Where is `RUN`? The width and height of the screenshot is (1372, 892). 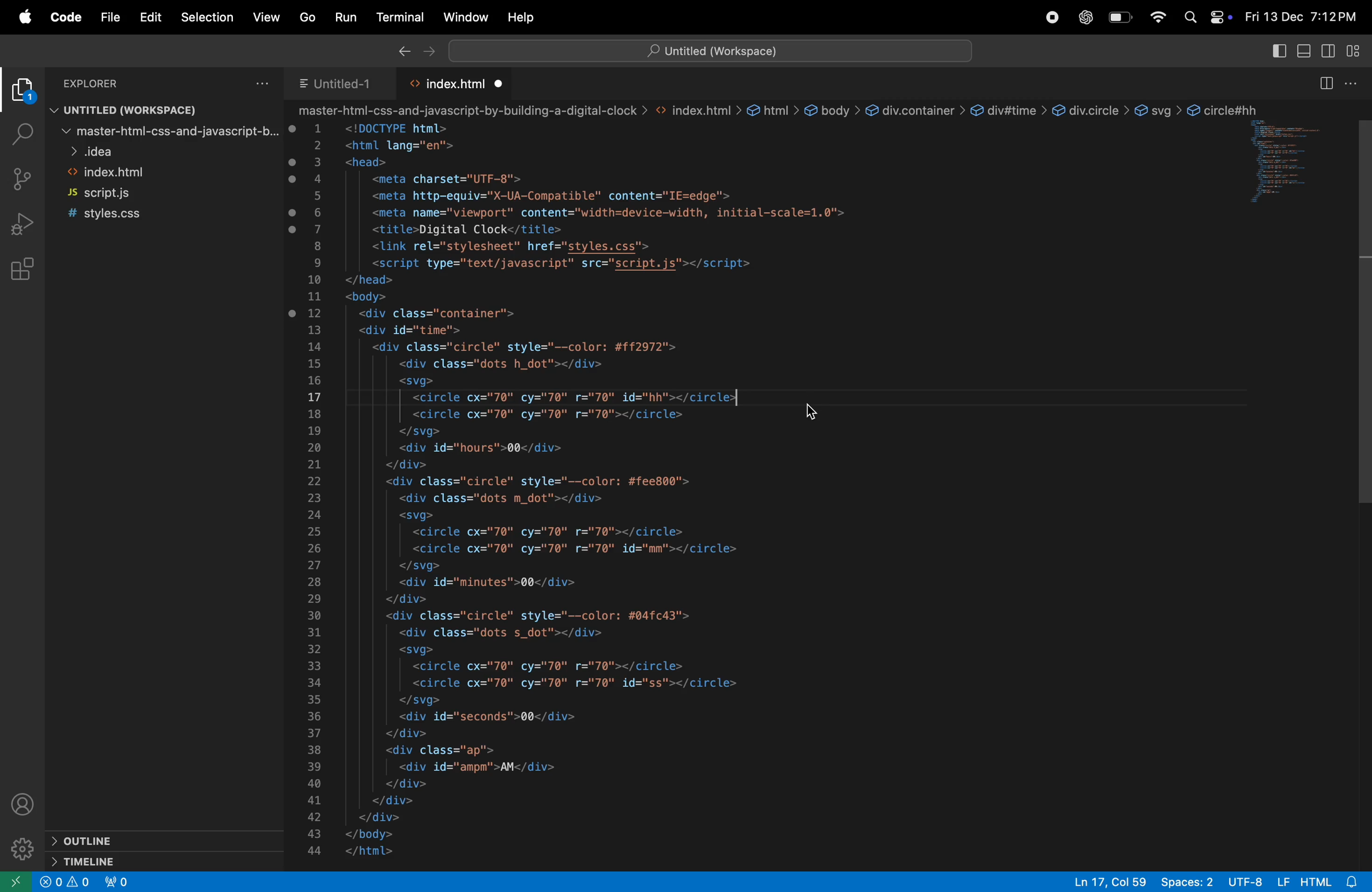
RUN is located at coordinates (348, 16).